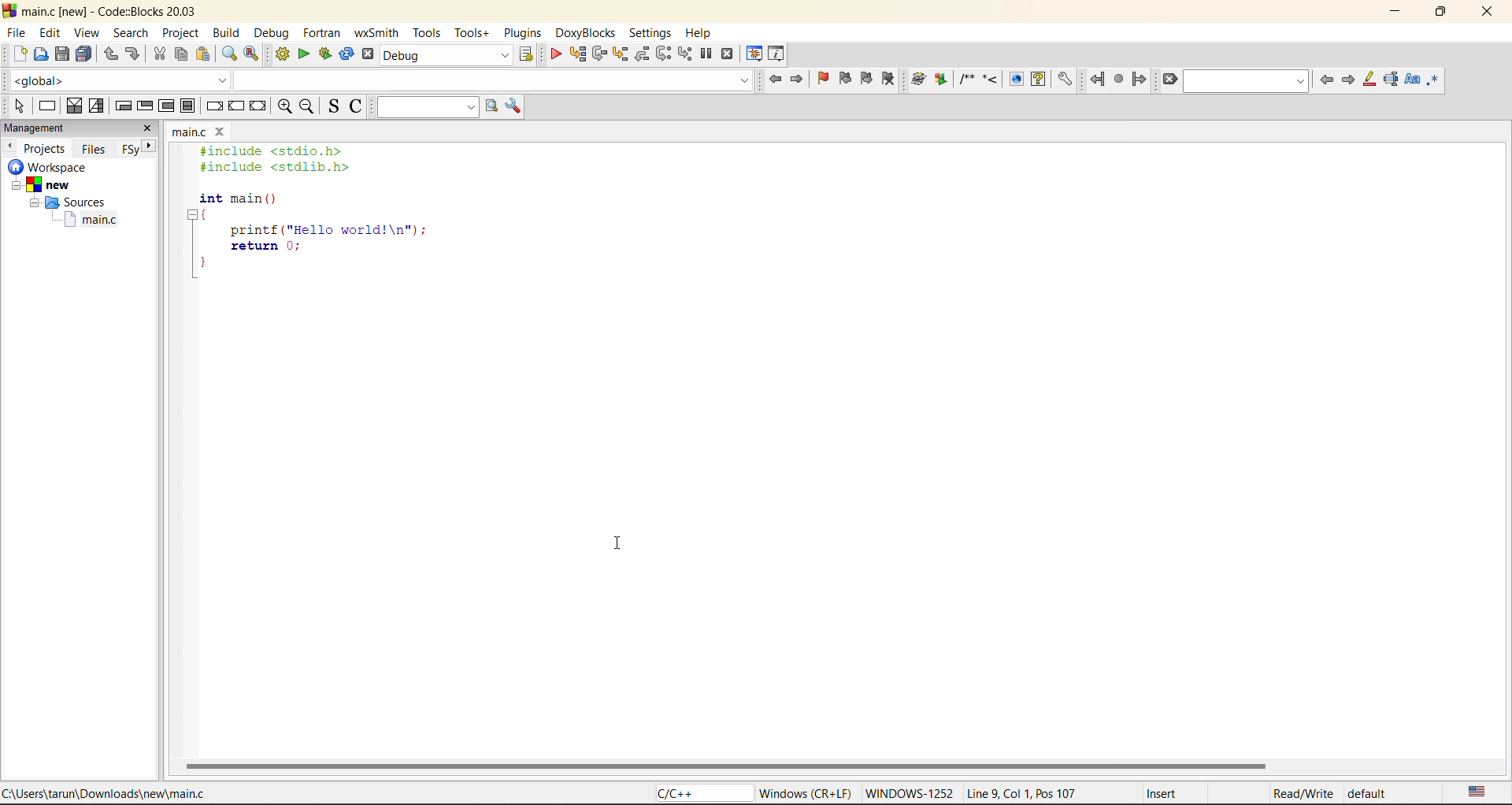 This screenshot has width=1512, height=805. I want to click on project, so click(182, 31).